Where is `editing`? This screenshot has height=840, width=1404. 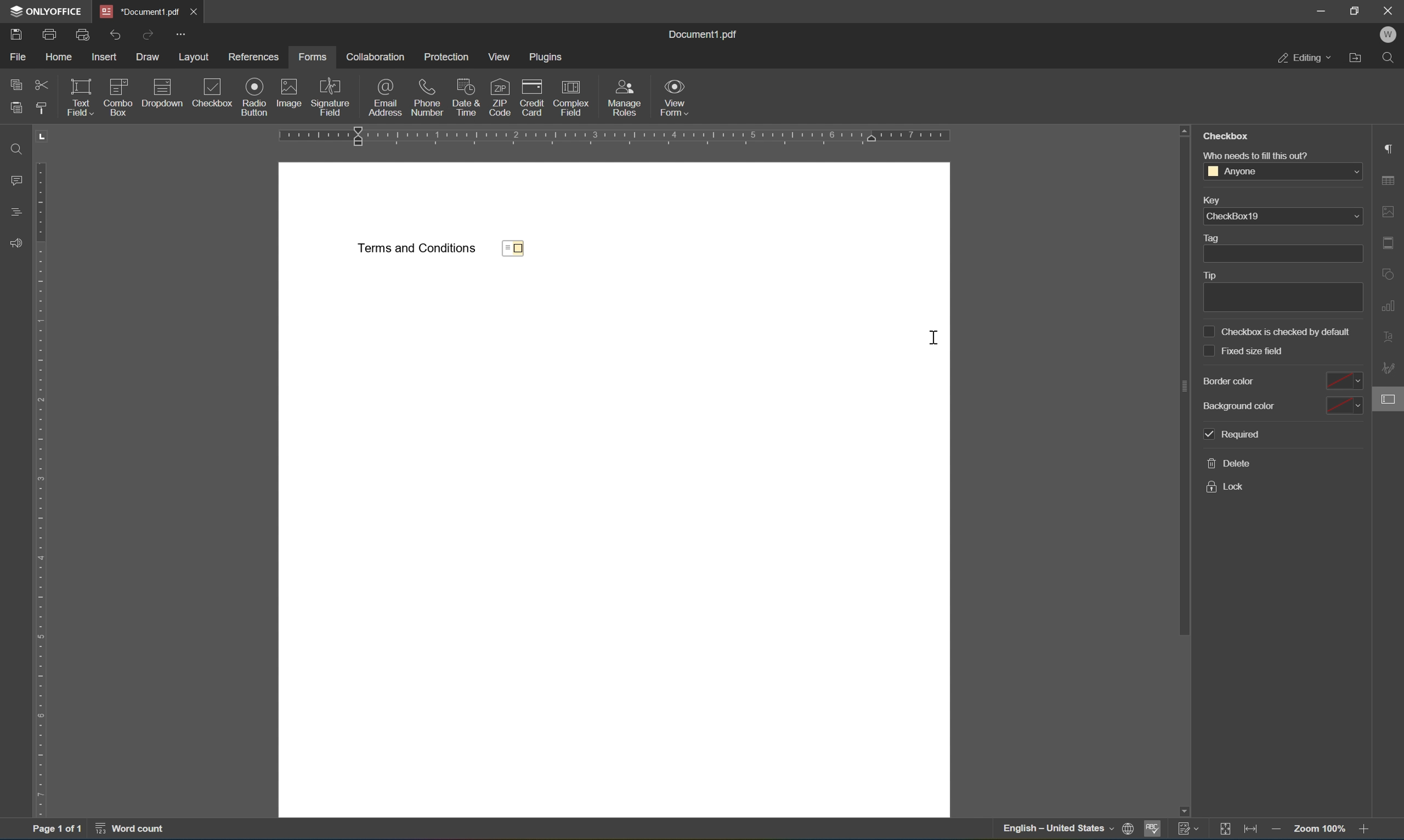 editing is located at coordinates (1306, 58).